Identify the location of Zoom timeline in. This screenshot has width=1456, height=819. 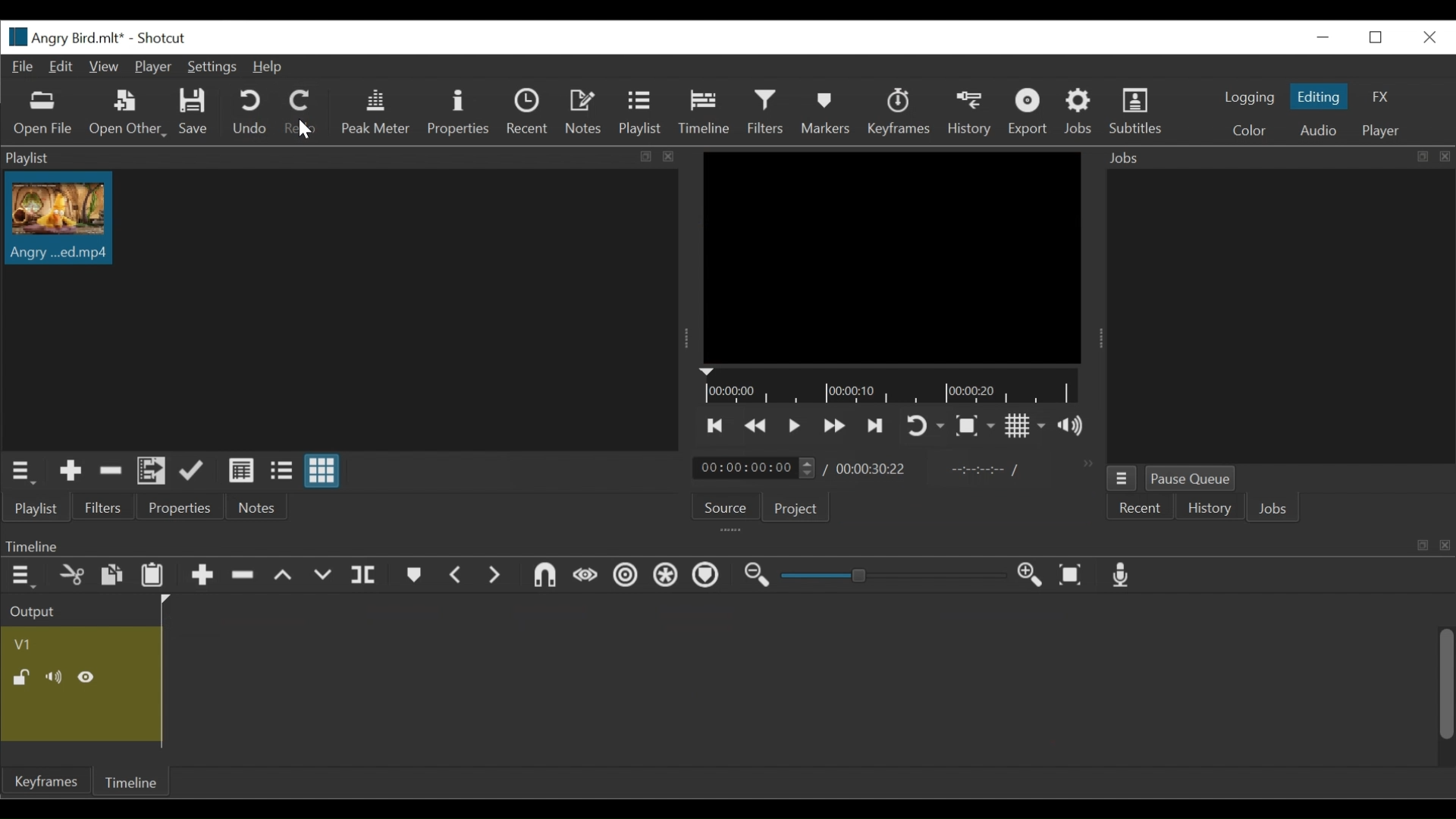
(1030, 576).